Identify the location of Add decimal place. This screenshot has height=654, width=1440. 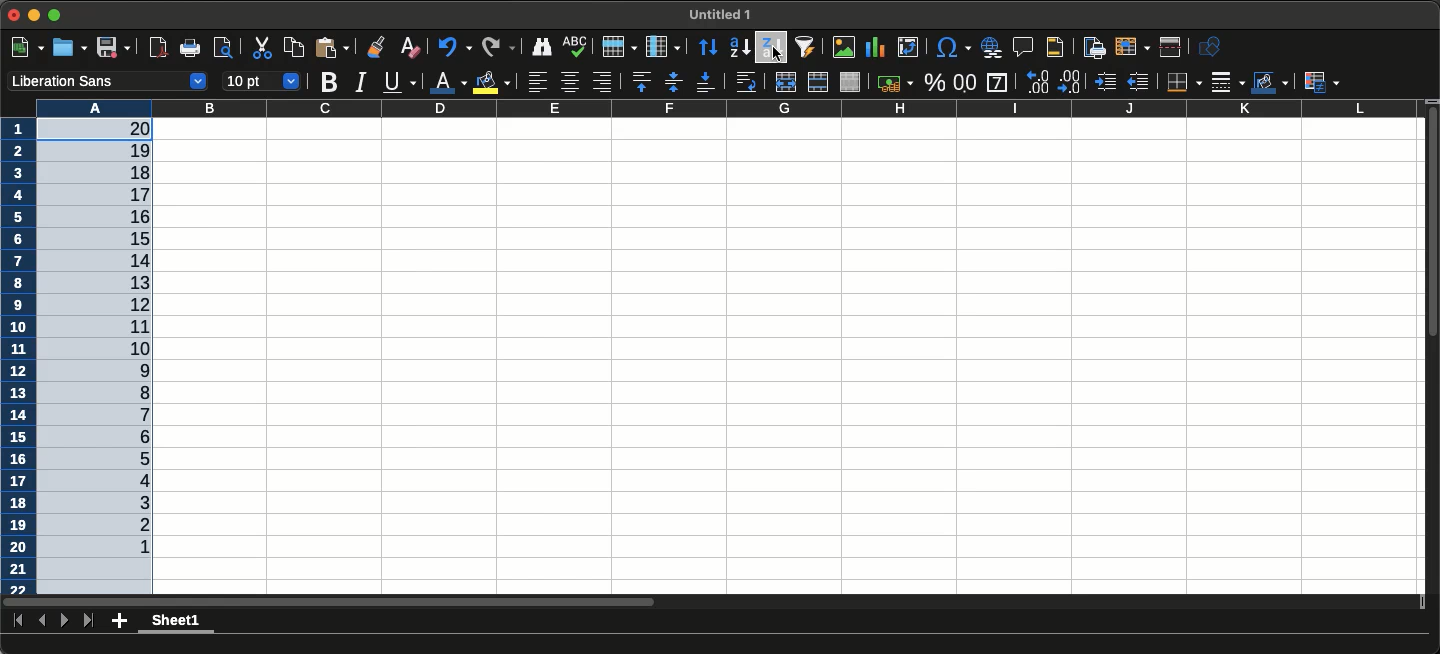
(1071, 82).